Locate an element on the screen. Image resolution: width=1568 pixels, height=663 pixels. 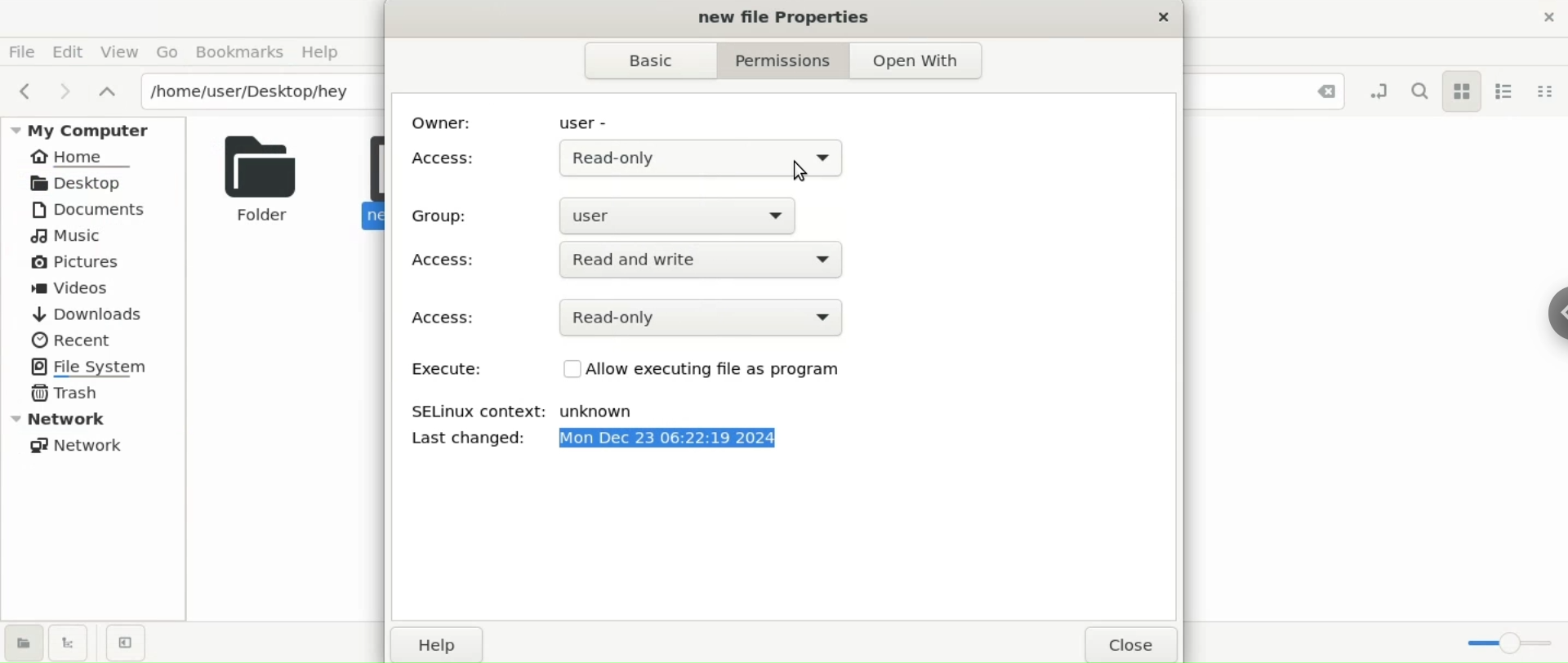
Read-only is located at coordinates (695, 158).